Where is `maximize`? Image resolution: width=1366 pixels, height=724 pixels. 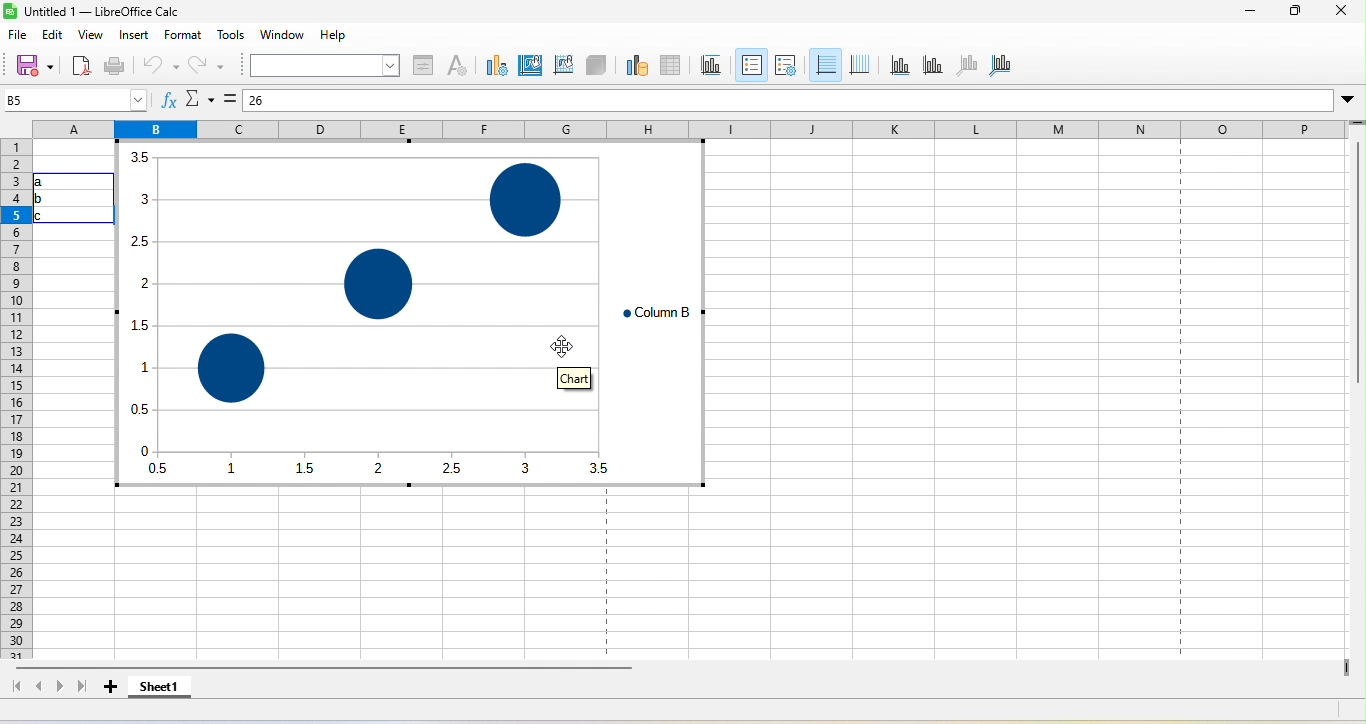
maximize is located at coordinates (1297, 13).